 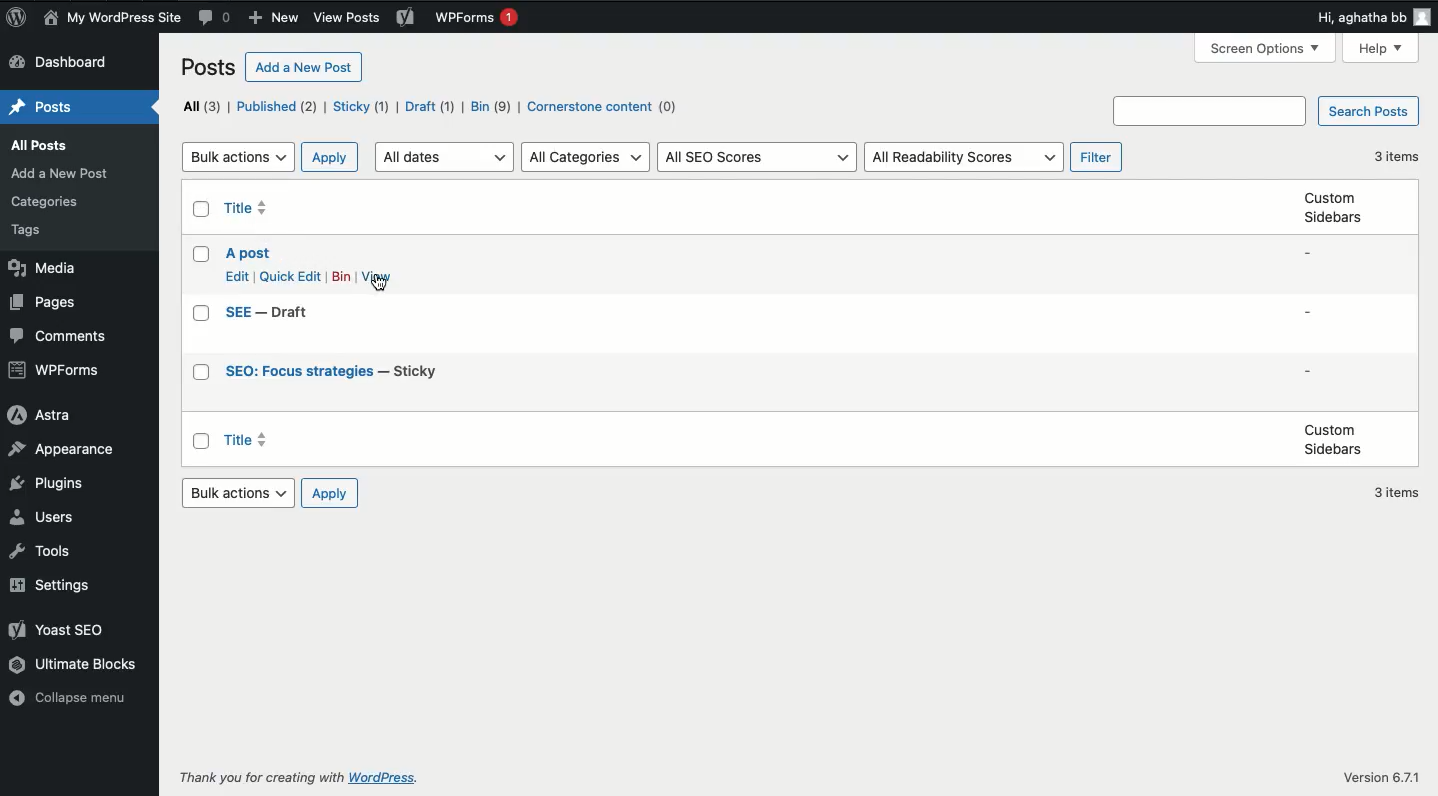 What do you see at coordinates (40, 268) in the screenshot?
I see `Media` at bounding box center [40, 268].